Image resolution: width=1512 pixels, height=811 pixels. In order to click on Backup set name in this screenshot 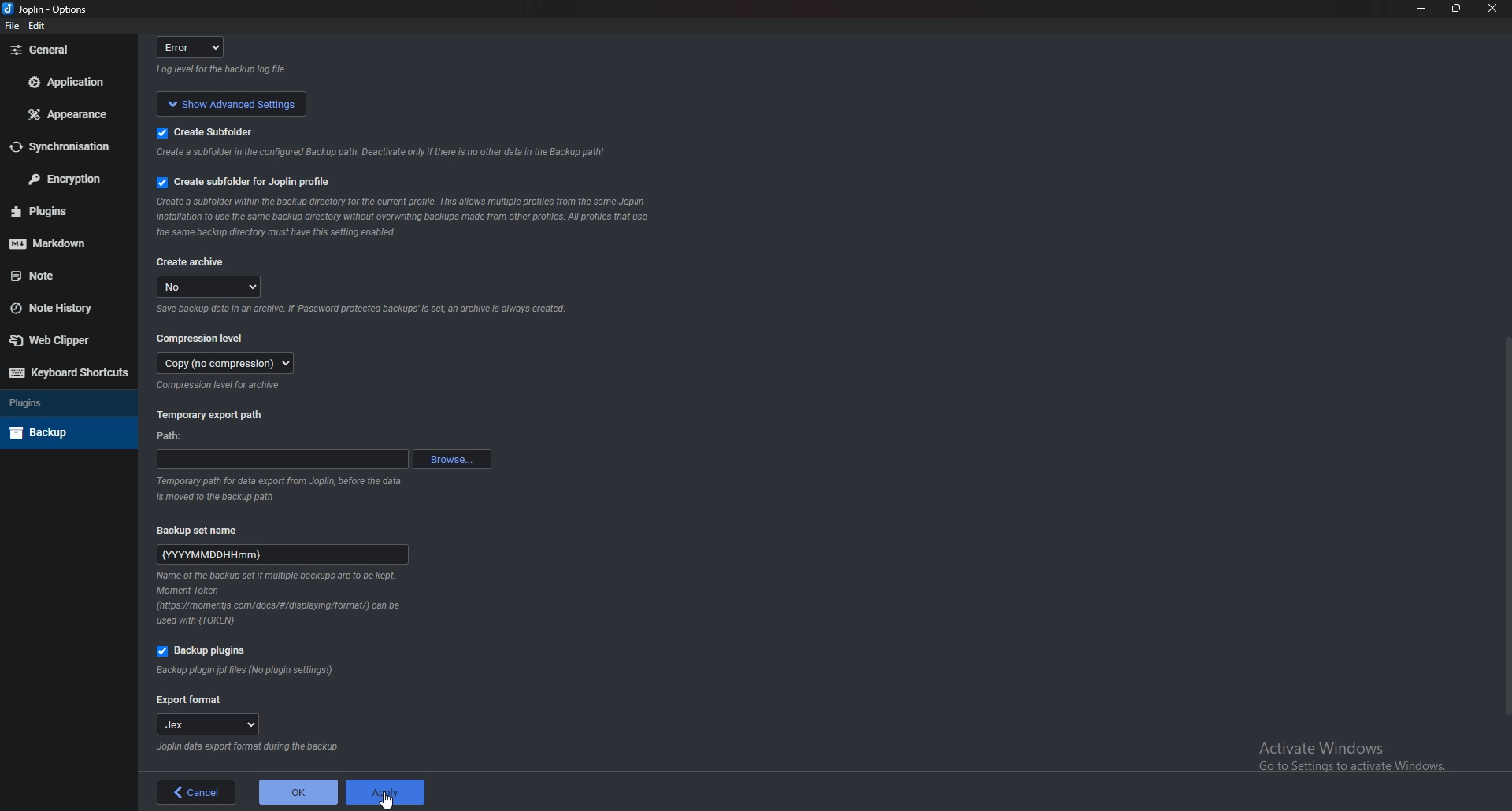, I will do `click(206, 529)`.